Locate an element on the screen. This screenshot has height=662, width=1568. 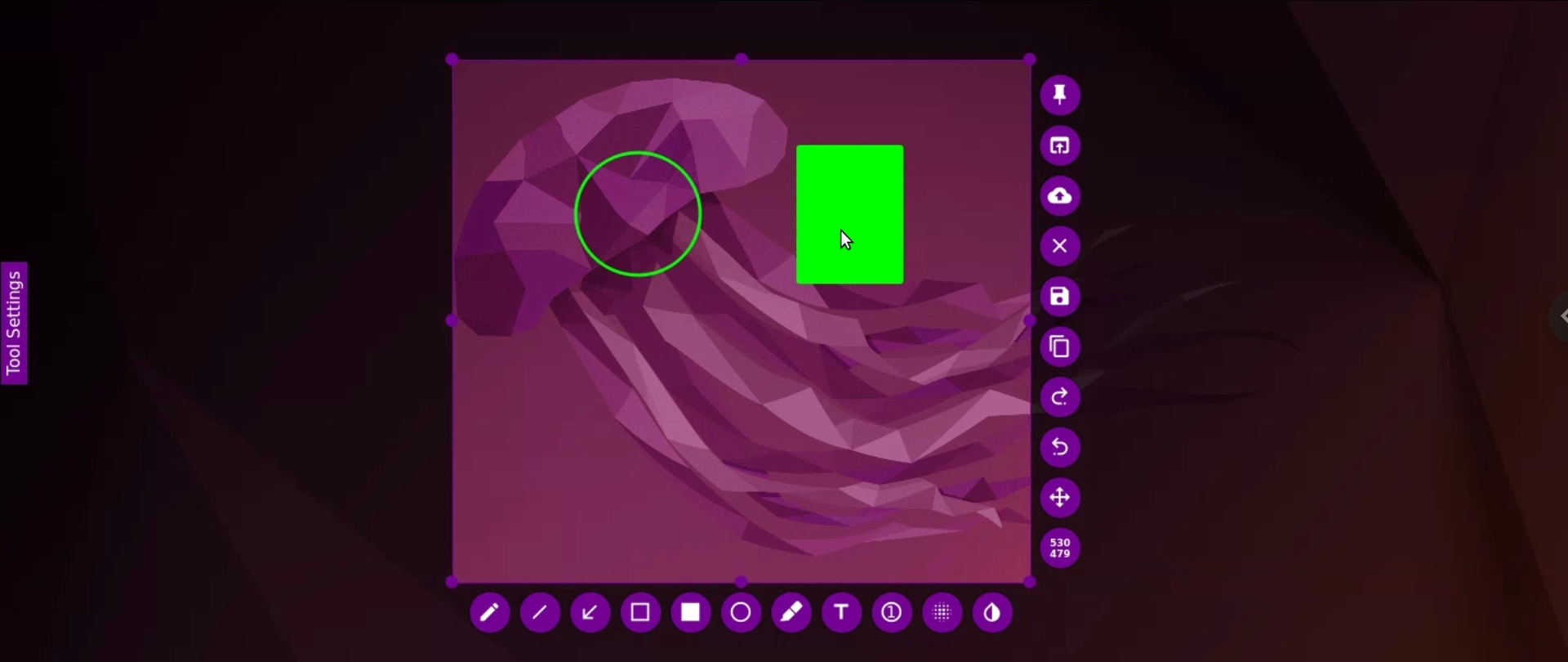
undo is located at coordinates (1060, 396).